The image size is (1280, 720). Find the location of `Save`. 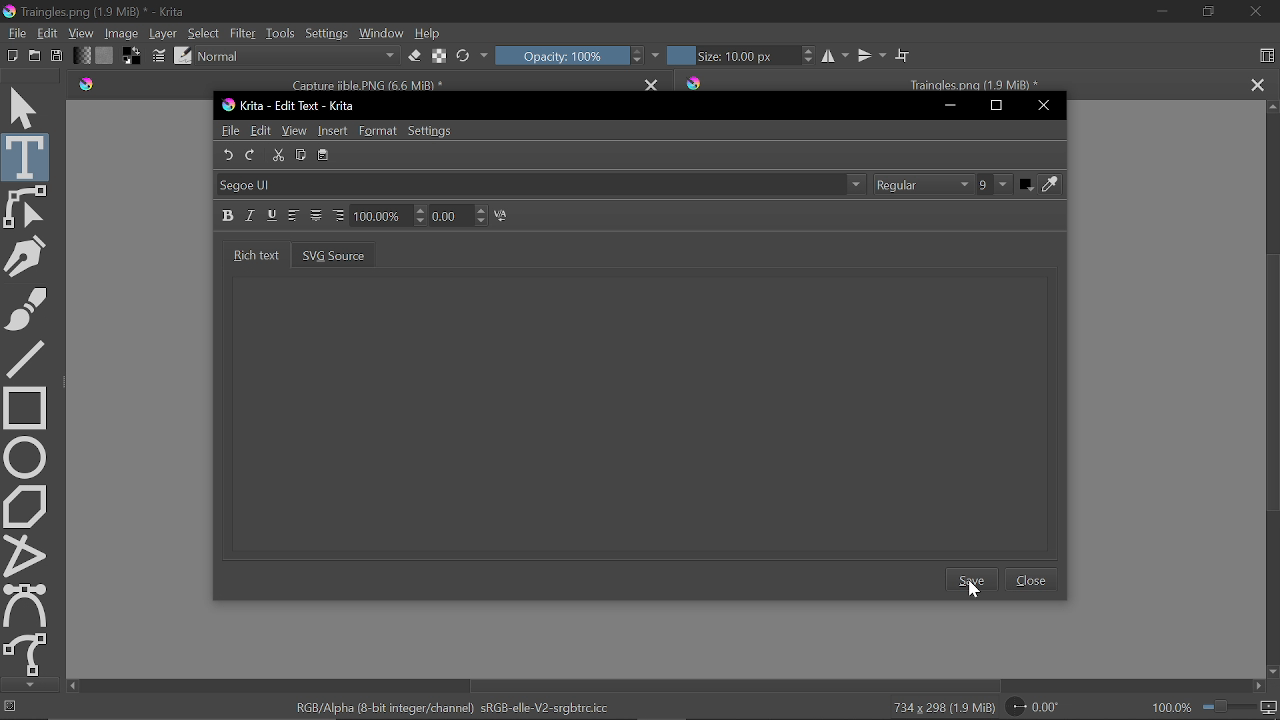

Save is located at coordinates (57, 54).